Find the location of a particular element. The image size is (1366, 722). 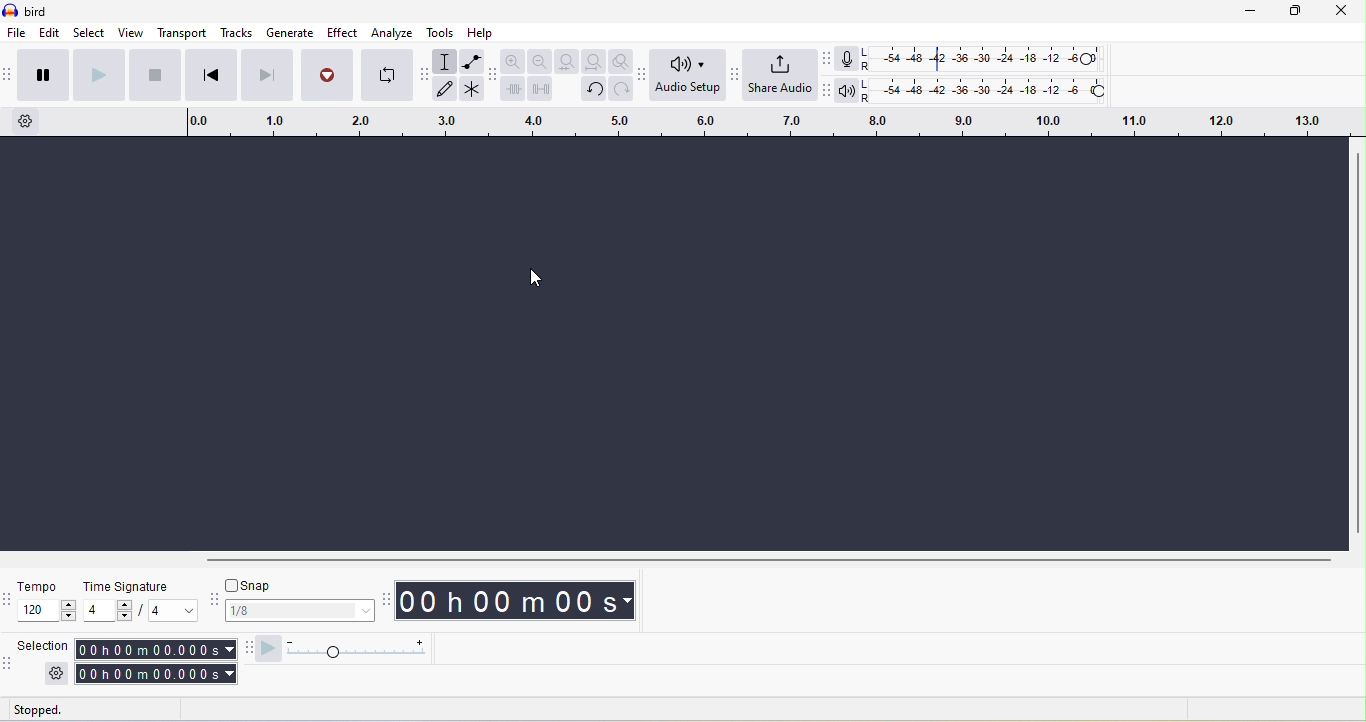

share audio is located at coordinates (782, 76).